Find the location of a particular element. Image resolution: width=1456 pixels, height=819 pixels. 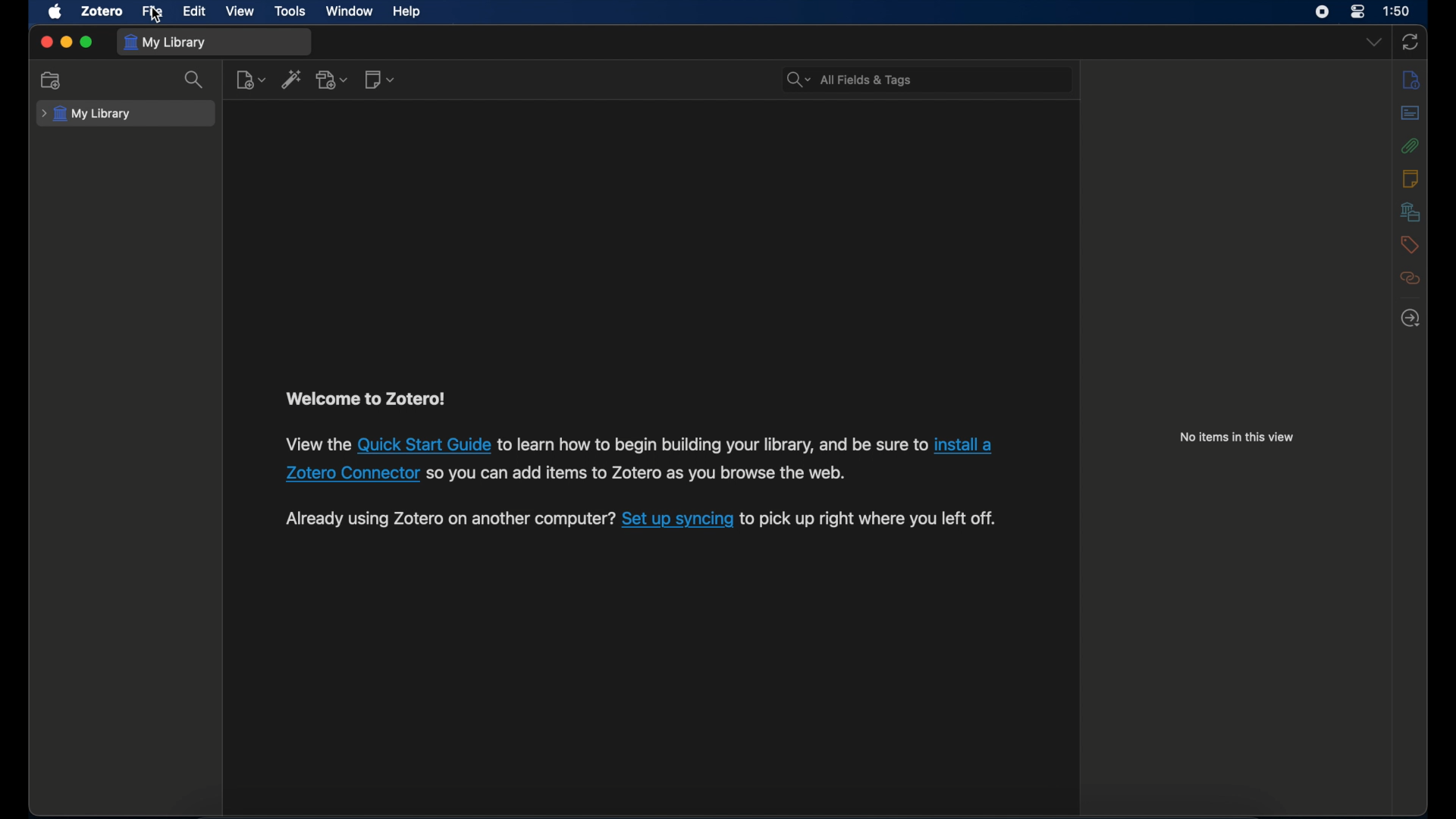

search is located at coordinates (195, 79).